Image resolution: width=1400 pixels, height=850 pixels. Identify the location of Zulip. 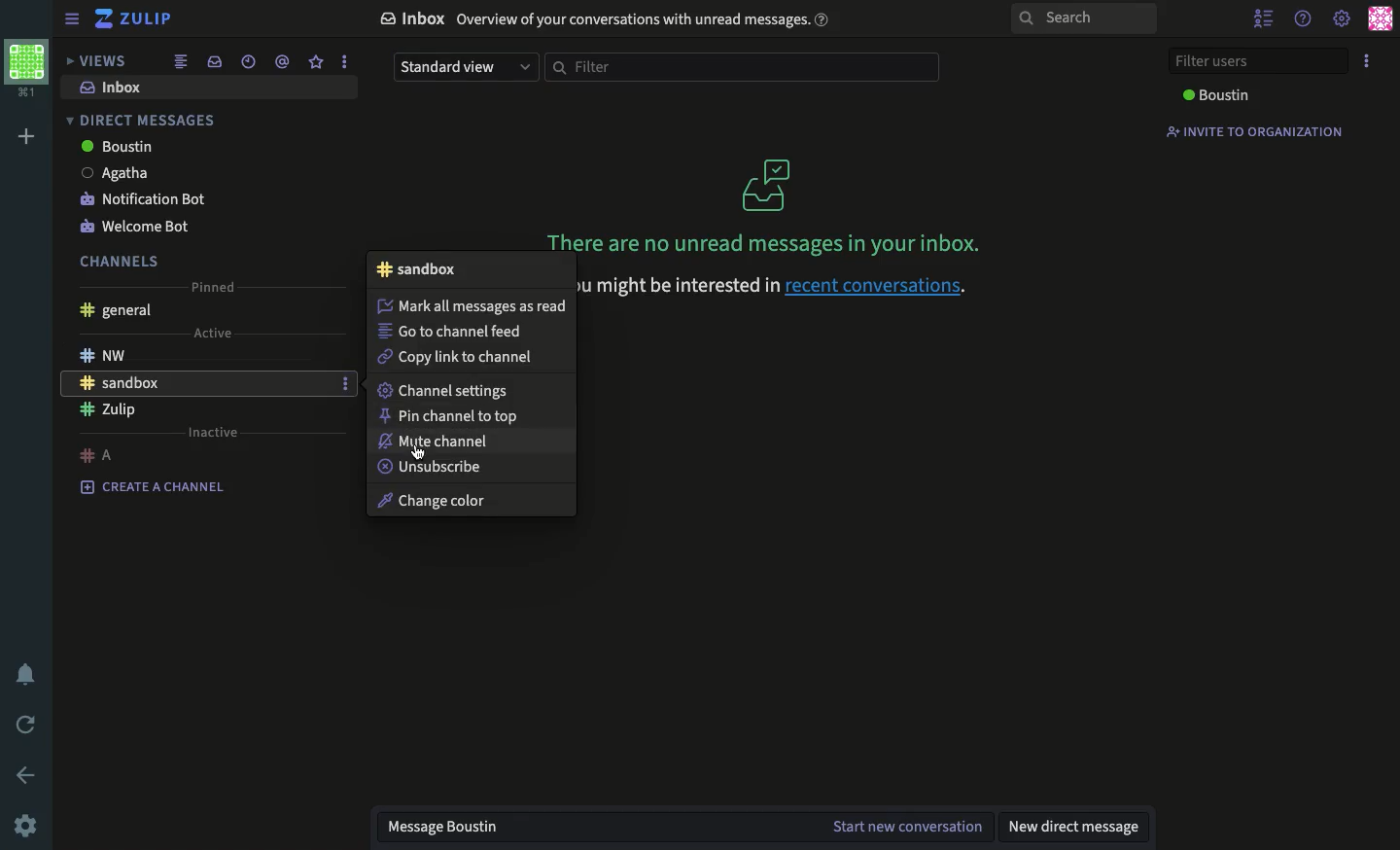
(108, 410).